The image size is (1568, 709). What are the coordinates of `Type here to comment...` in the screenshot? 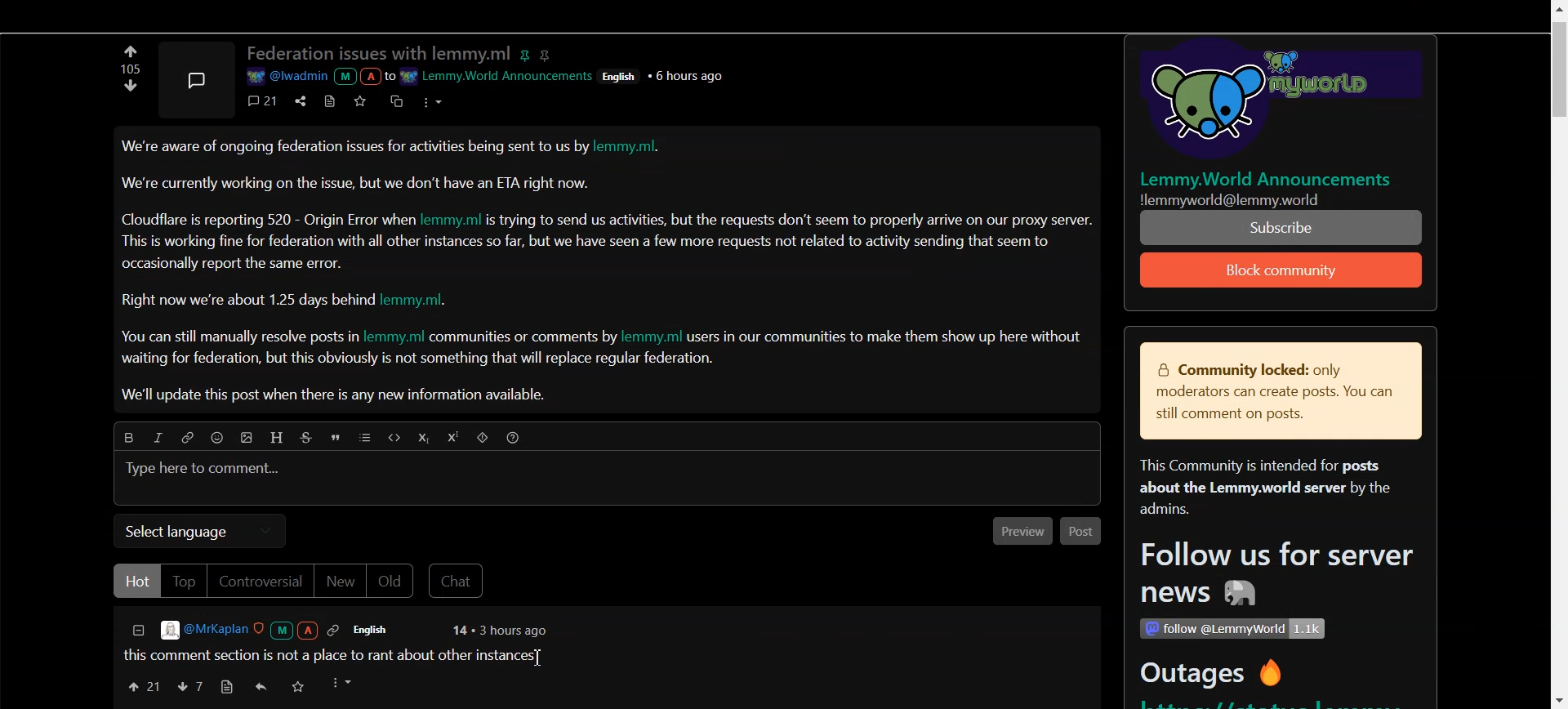 It's located at (205, 470).